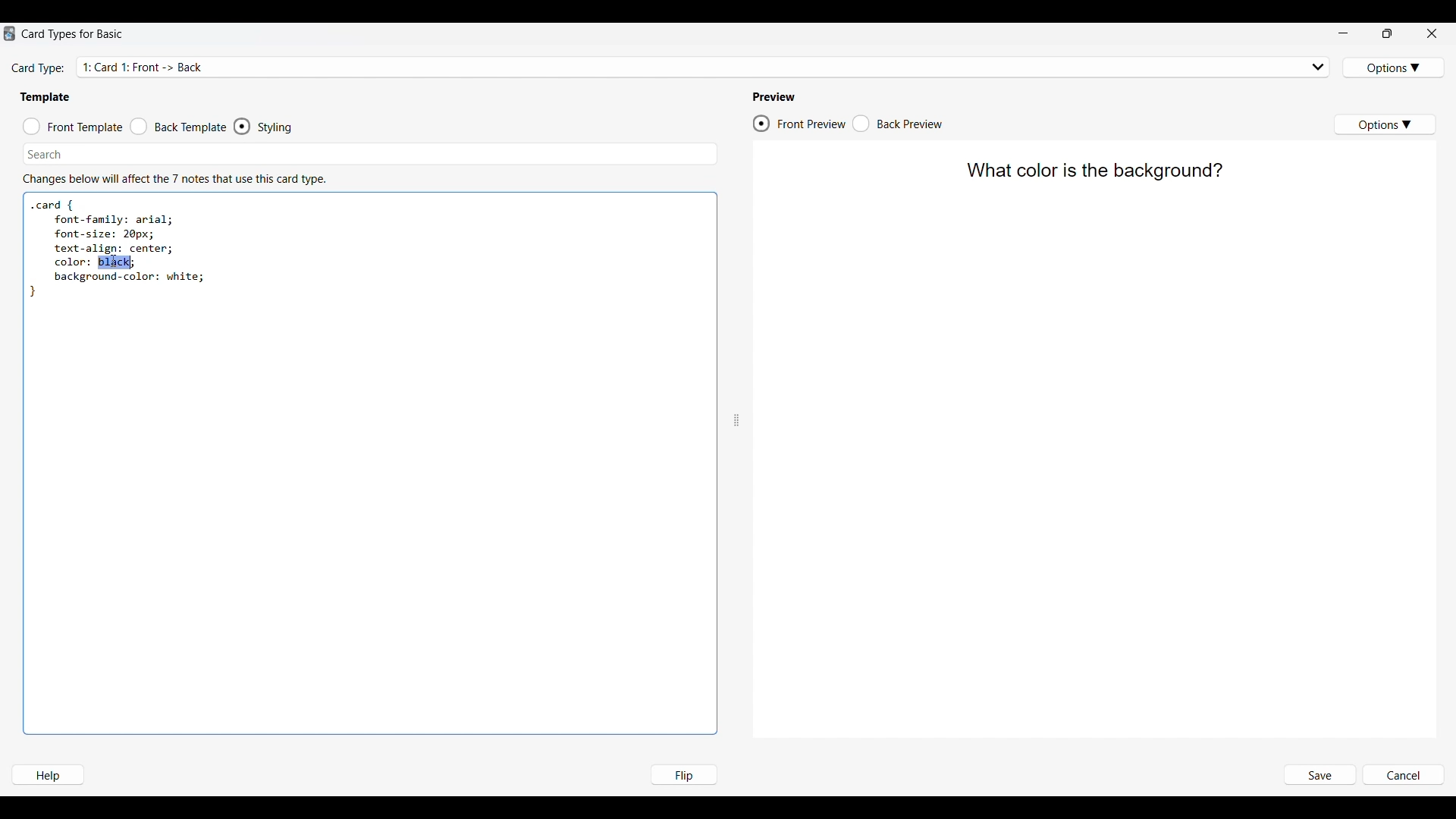 The width and height of the screenshot is (1456, 819). Describe the element at coordinates (45, 97) in the screenshot. I see `Template section` at that location.